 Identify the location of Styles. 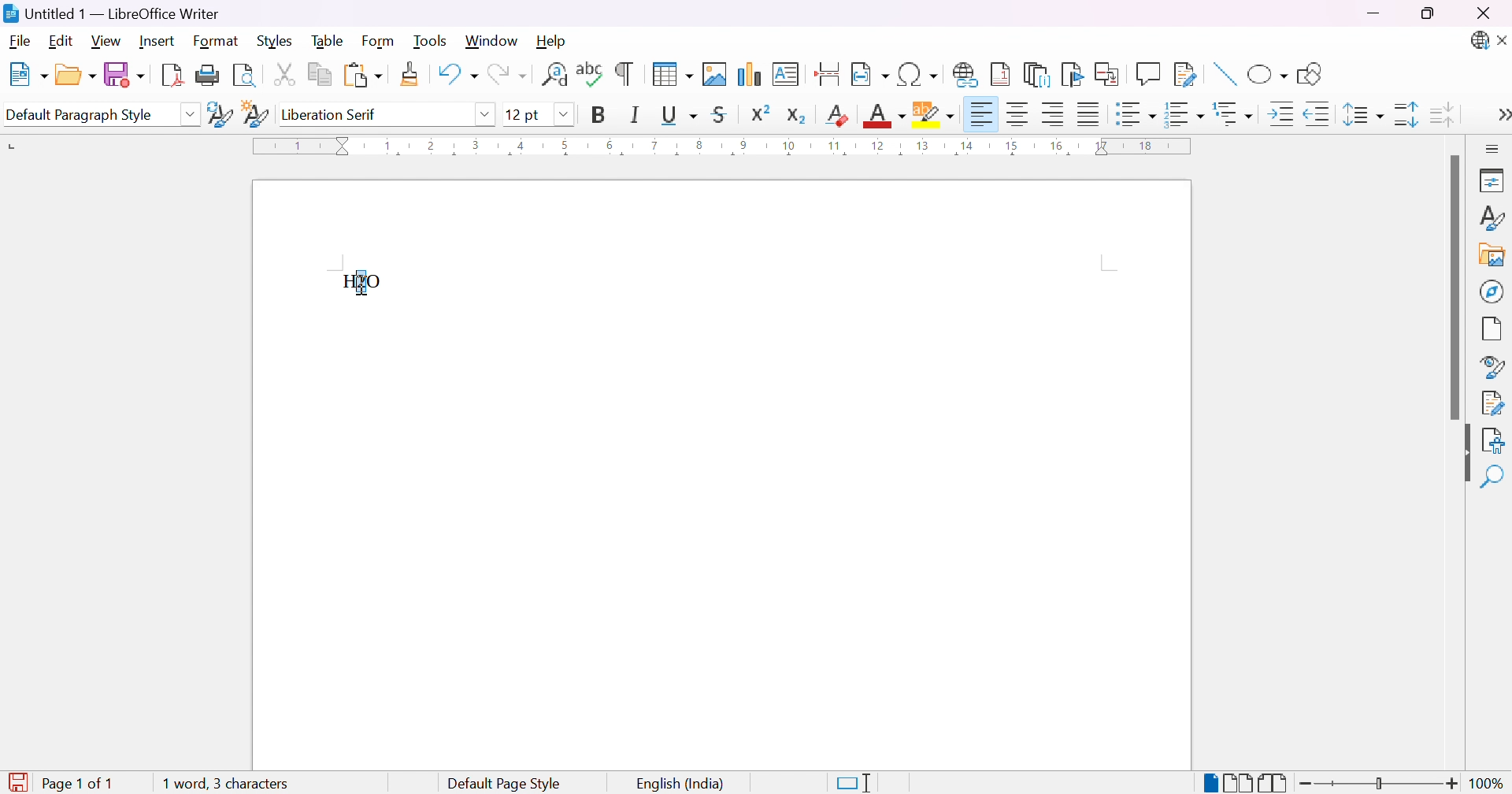
(1491, 222).